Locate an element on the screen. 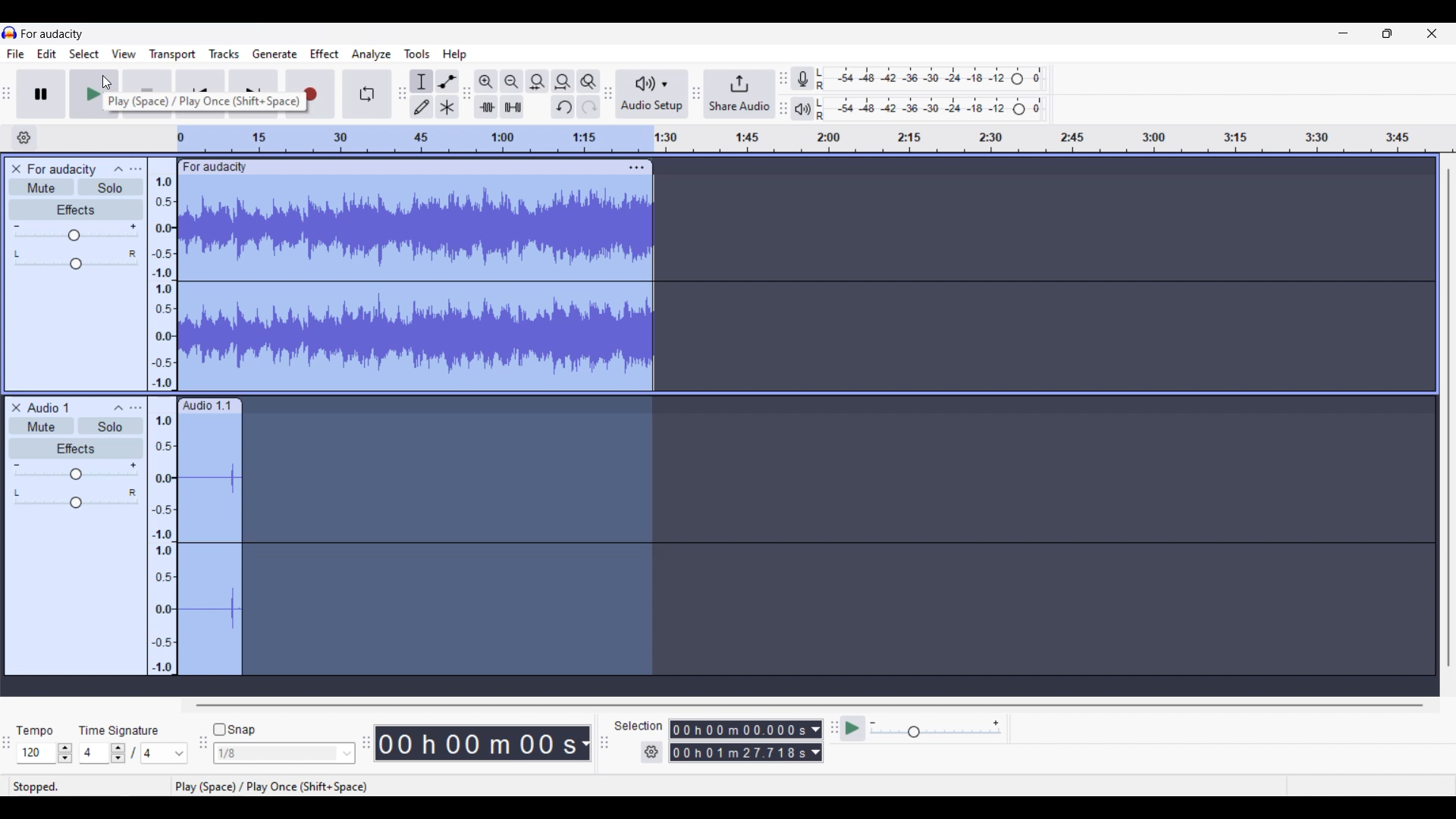 This screenshot has height=819, width=1456. Indicates selection duration is located at coordinates (639, 725).